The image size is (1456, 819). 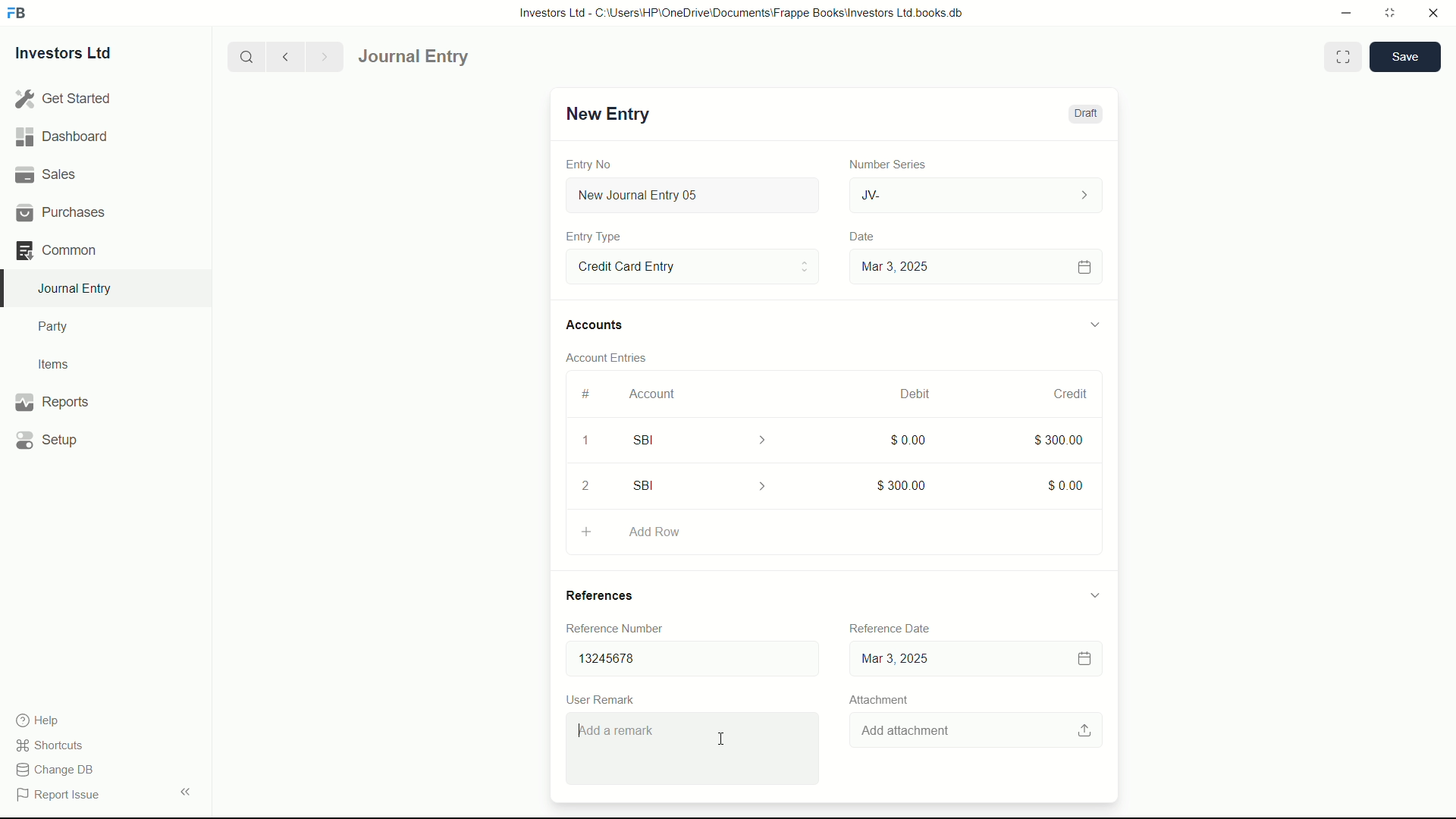 I want to click on Attachment, so click(x=878, y=699).